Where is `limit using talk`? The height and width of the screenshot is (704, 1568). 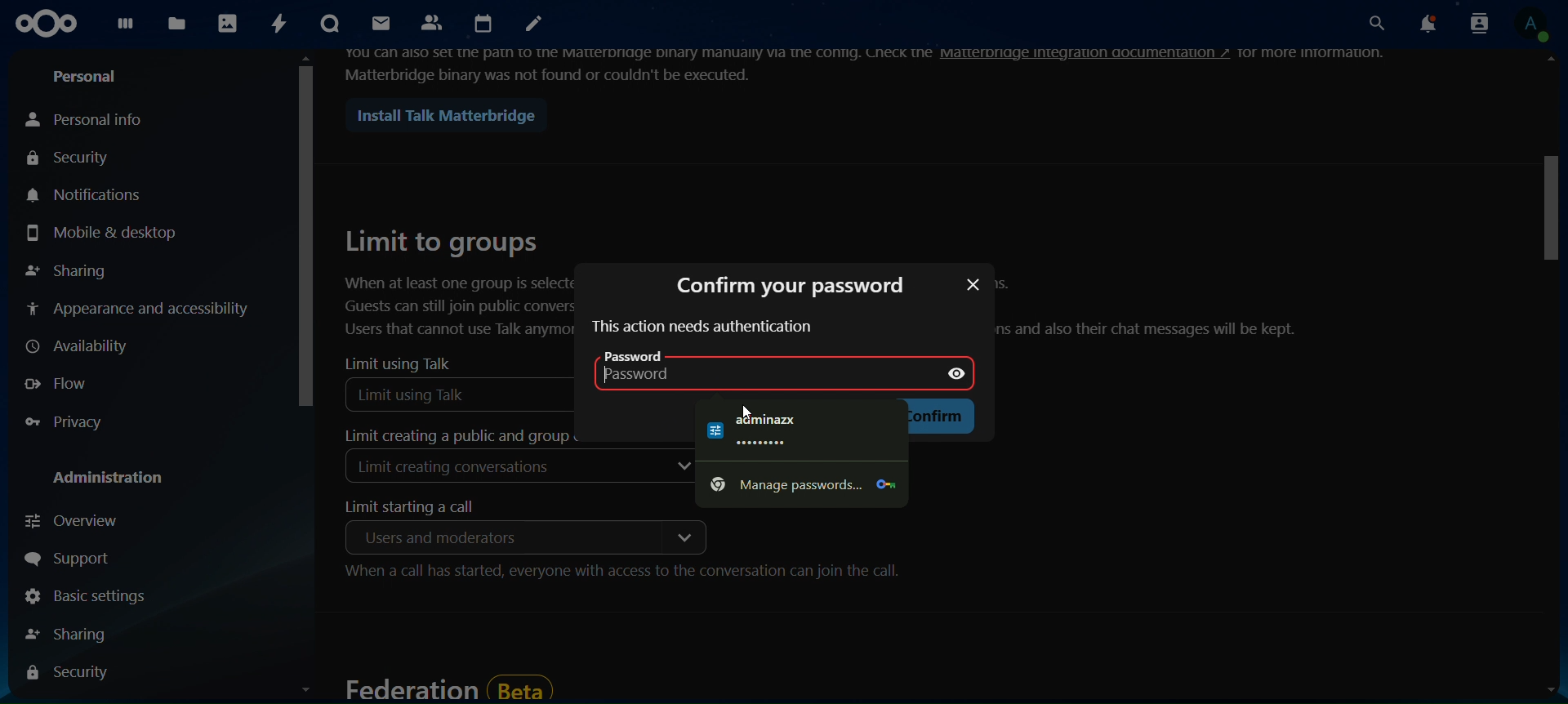 limit using talk is located at coordinates (399, 363).